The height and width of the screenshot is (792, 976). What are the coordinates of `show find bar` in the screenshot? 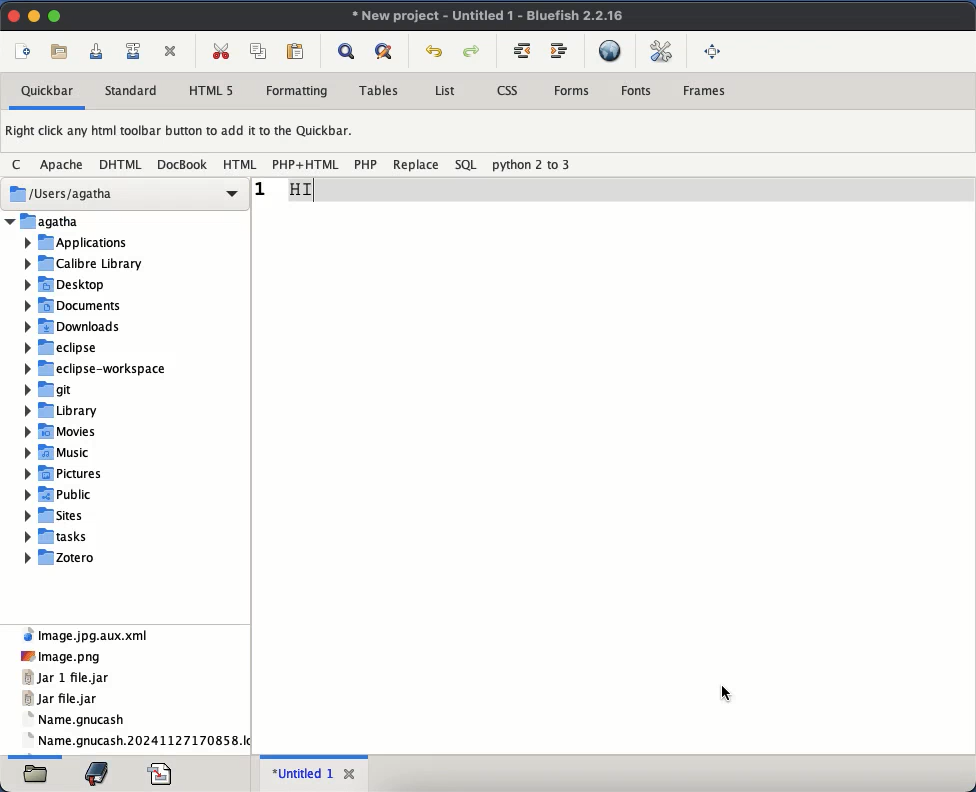 It's located at (349, 51).